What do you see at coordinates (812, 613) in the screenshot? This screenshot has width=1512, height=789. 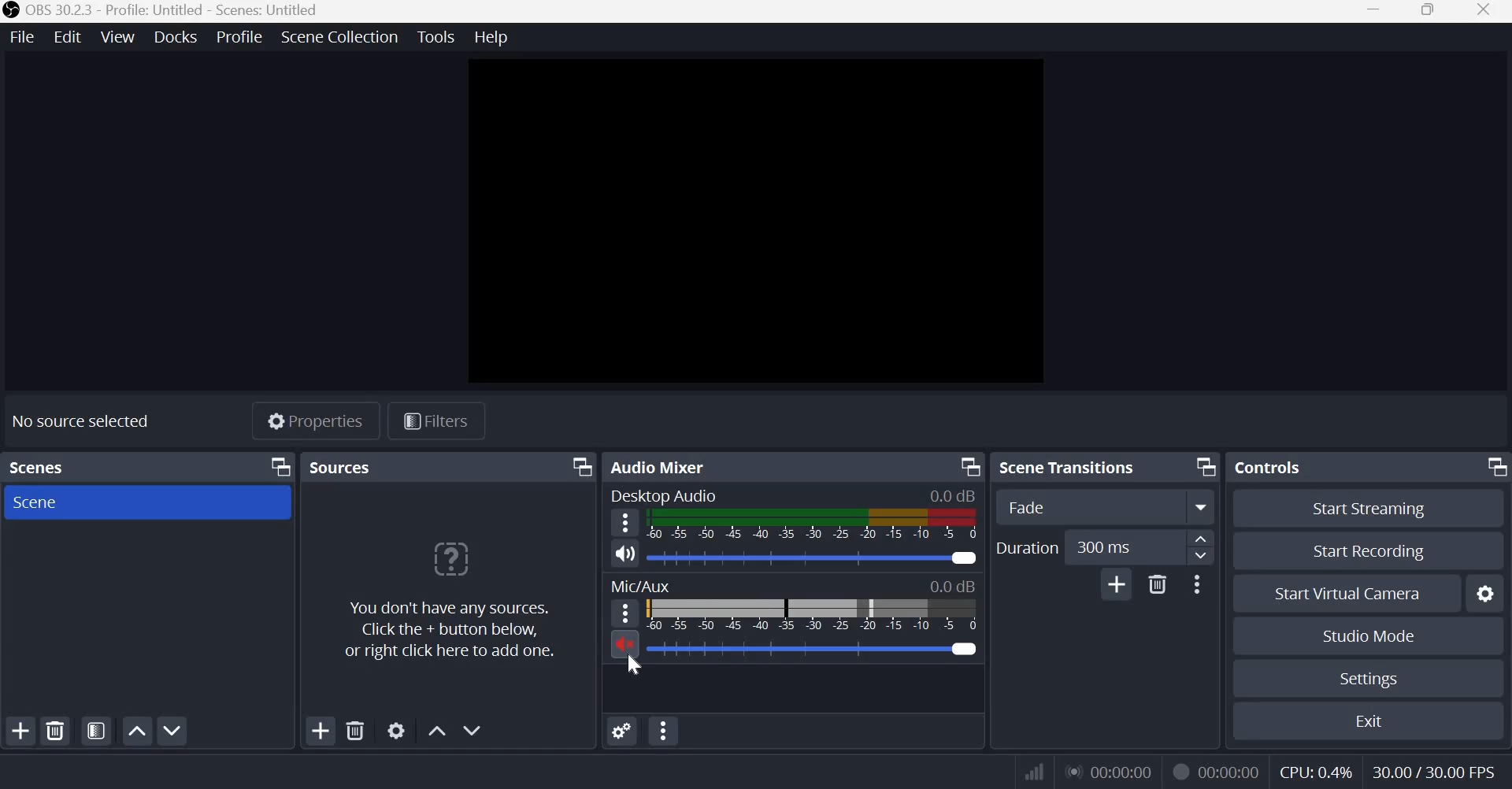 I see `Volume Meter` at bounding box center [812, 613].